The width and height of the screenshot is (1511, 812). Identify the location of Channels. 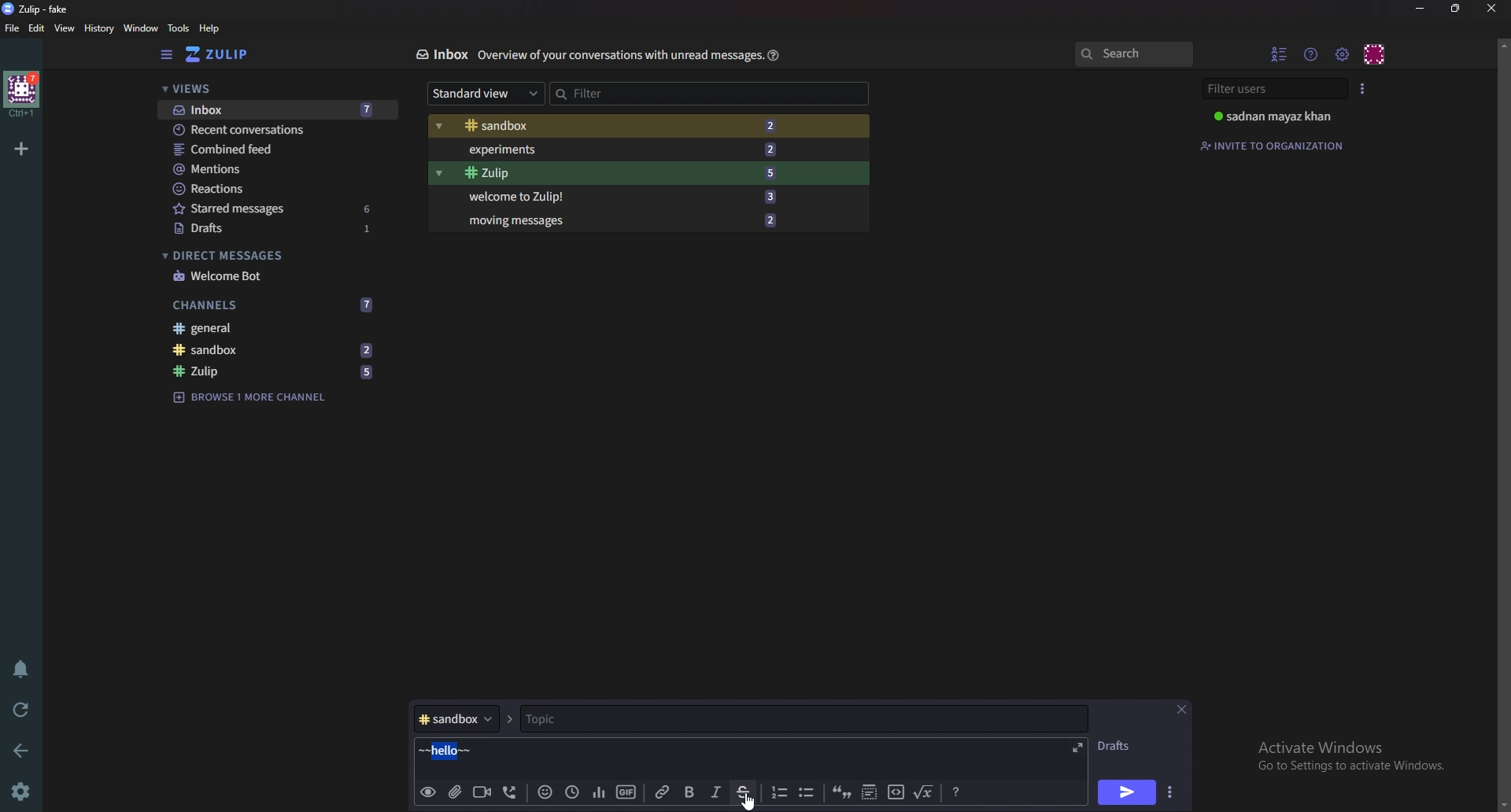
(275, 305).